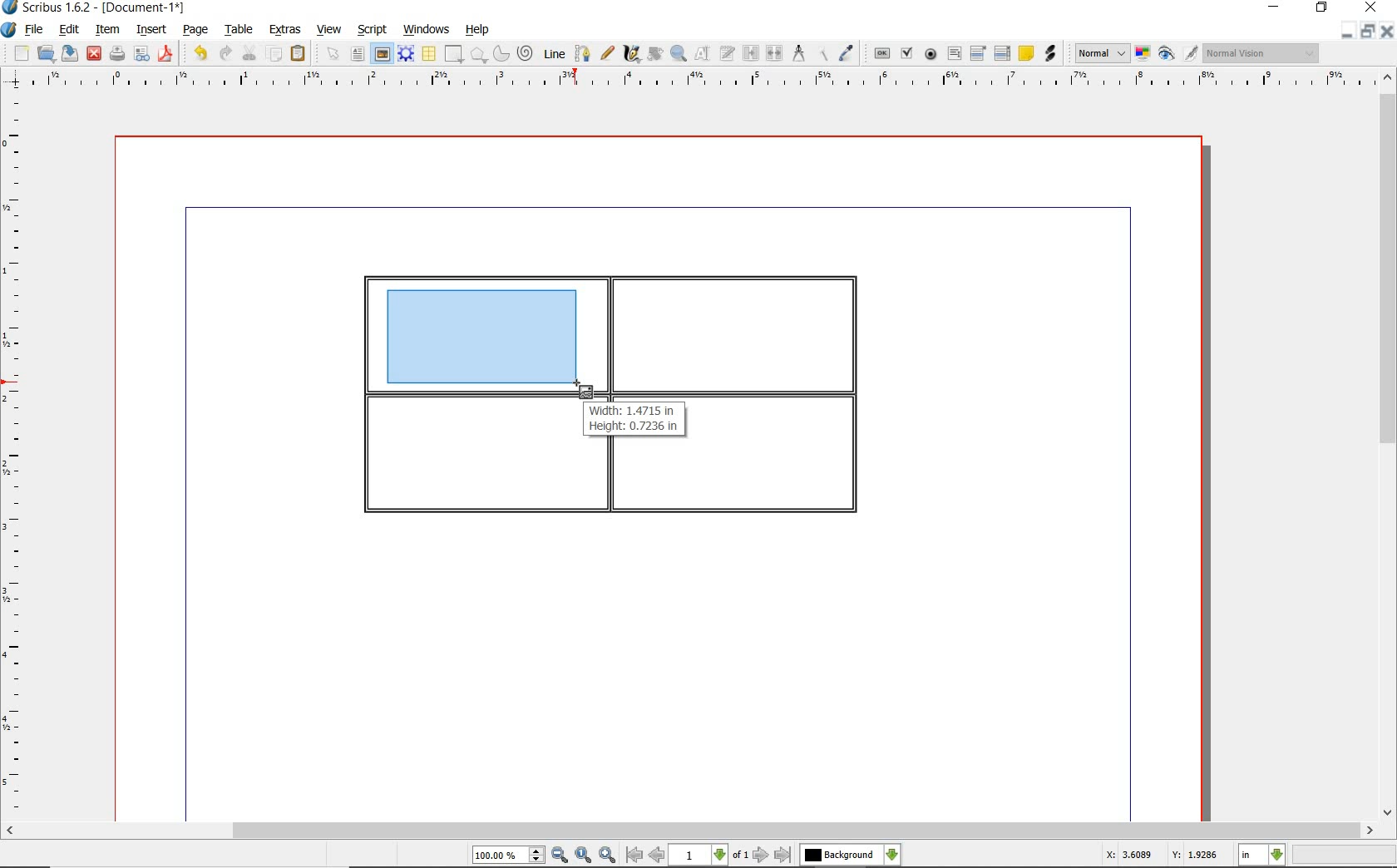  What do you see at coordinates (1167, 55) in the screenshot?
I see `preview mode` at bounding box center [1167, 55].